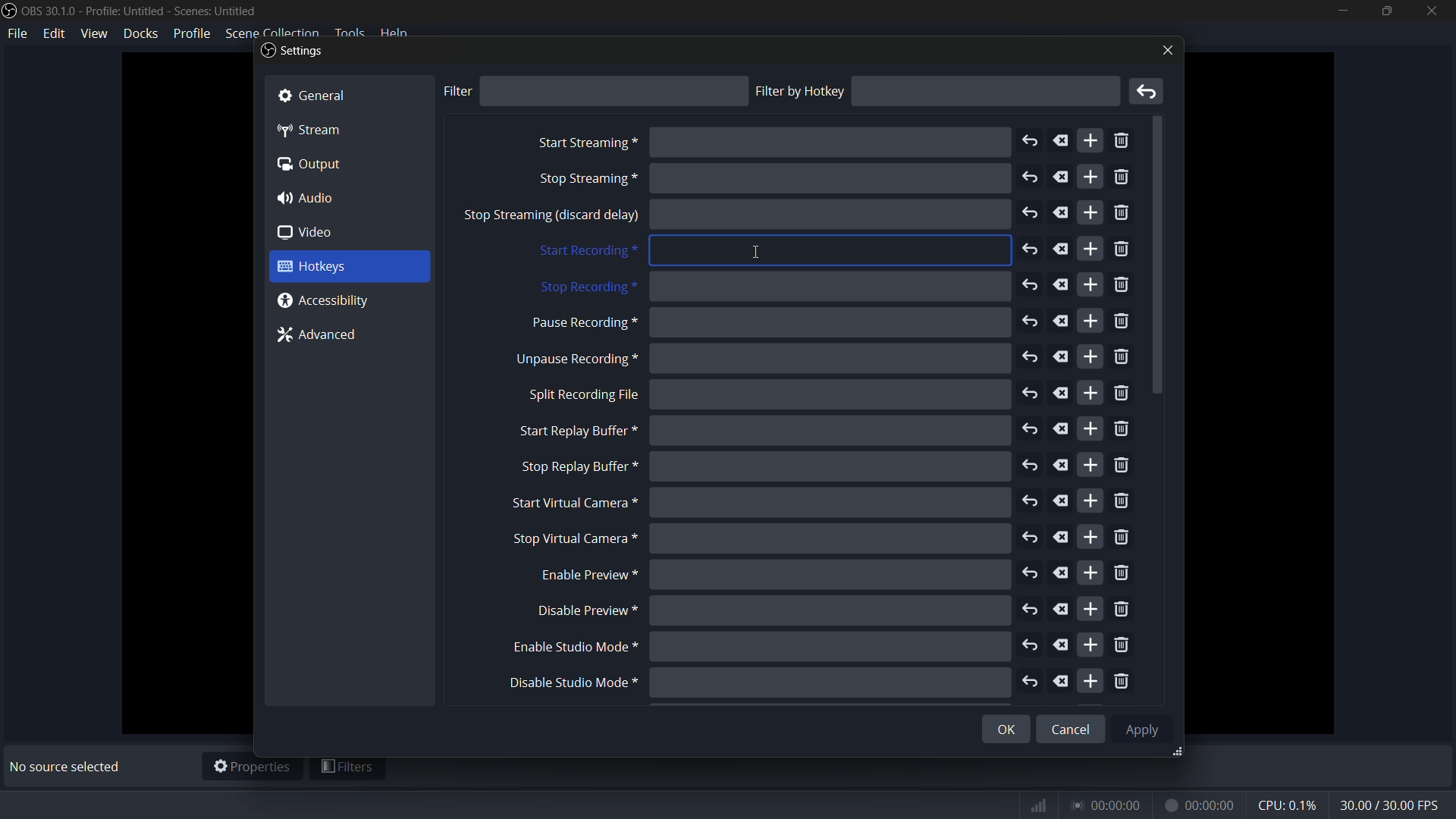  I want to click on minimize, so click(1342, 11).